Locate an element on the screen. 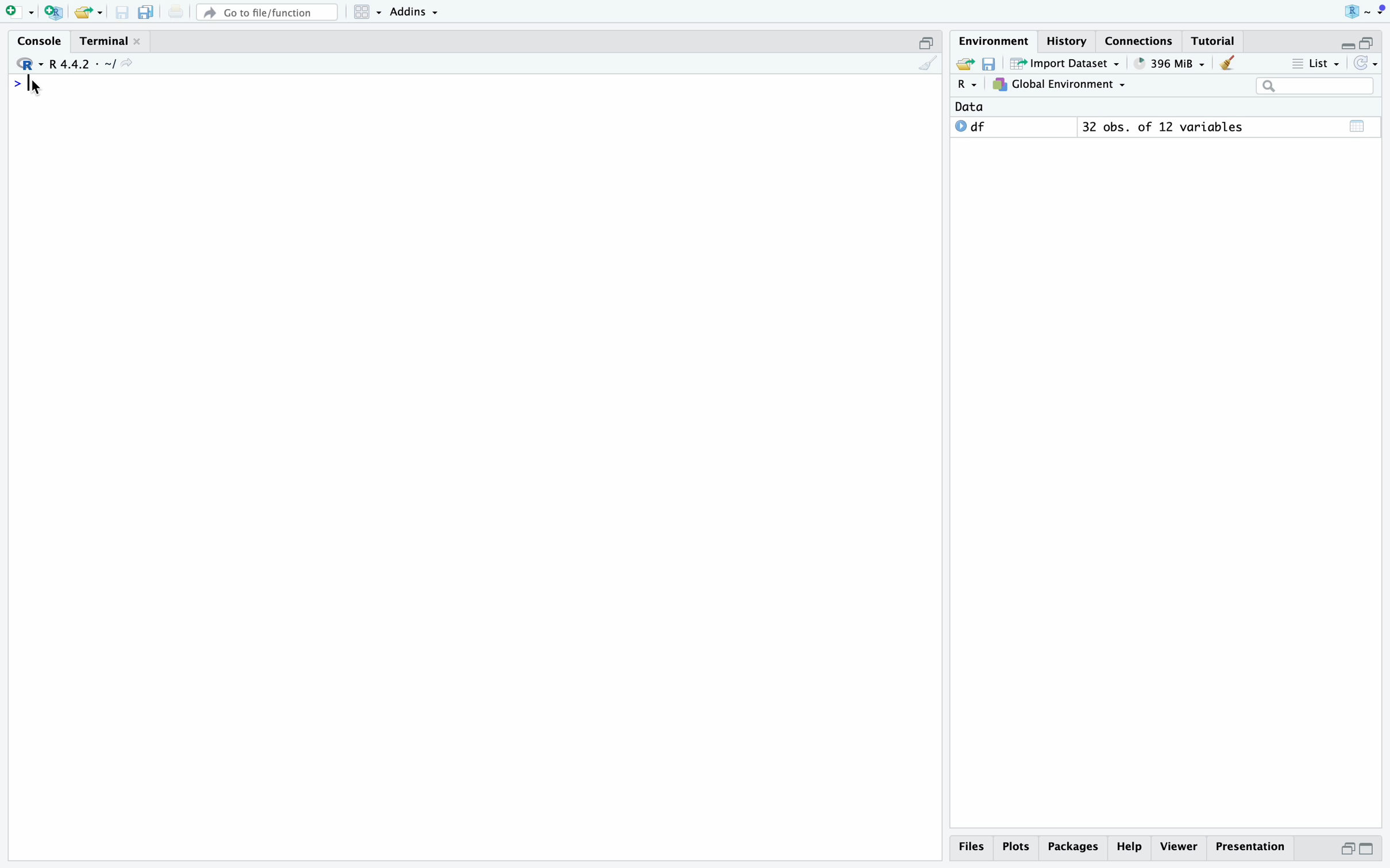 The image size is (1390, 868). open in separate window is located at coordinates (1367, 42).